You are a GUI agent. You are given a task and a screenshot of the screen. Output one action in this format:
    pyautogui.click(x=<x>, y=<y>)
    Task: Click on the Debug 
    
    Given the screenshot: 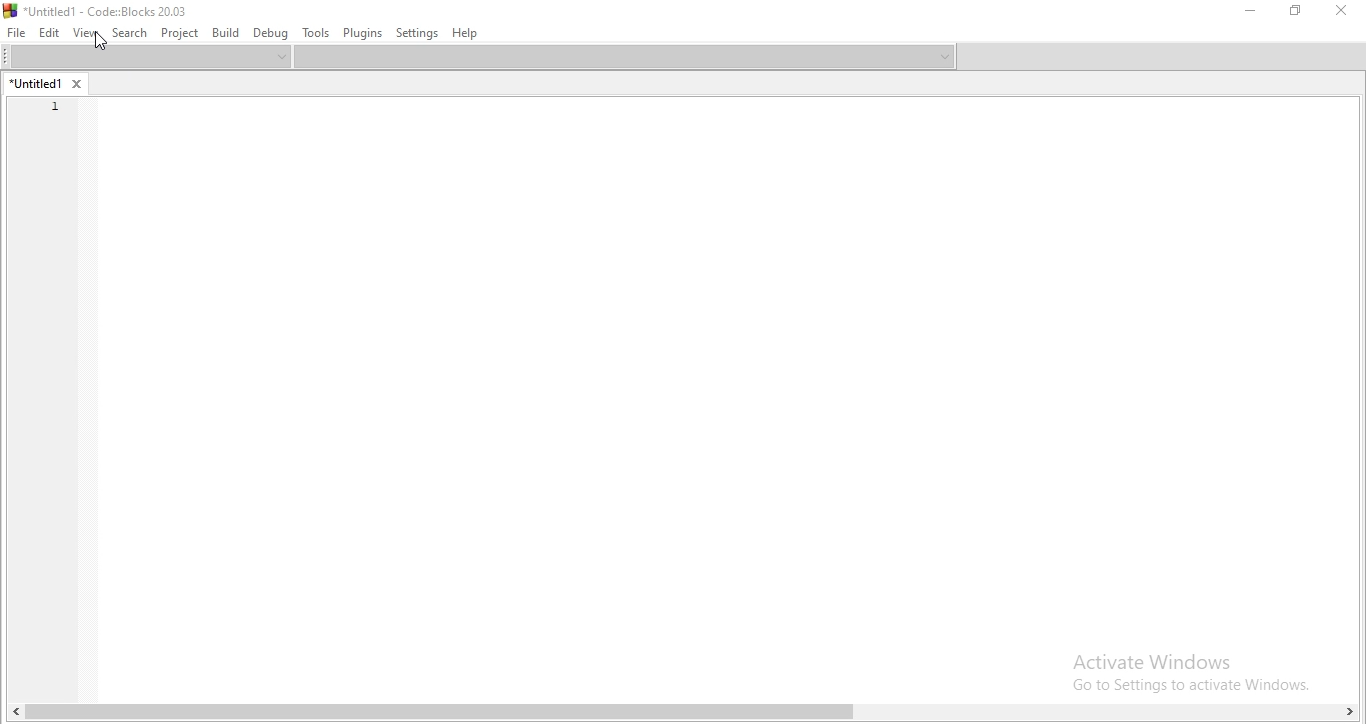 What is the action you would take?
    pyautogui.click(x=267, y=33)
    